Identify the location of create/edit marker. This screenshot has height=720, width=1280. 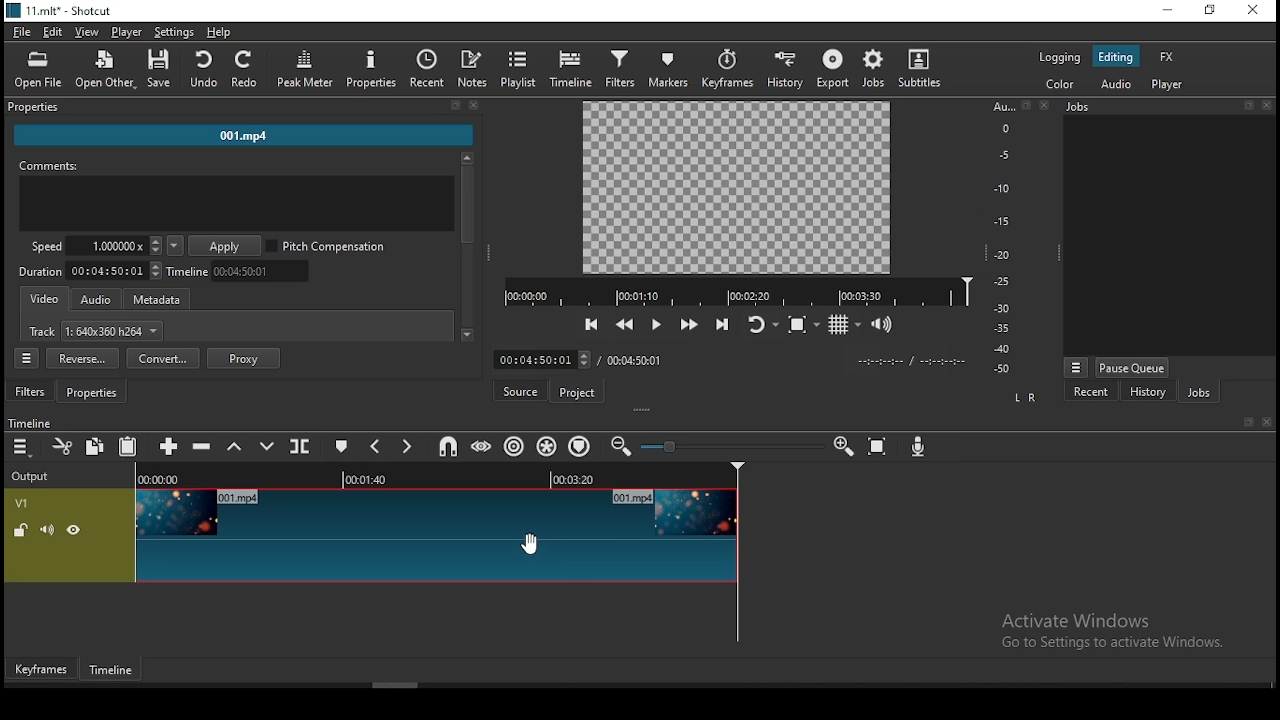
(343, 448).